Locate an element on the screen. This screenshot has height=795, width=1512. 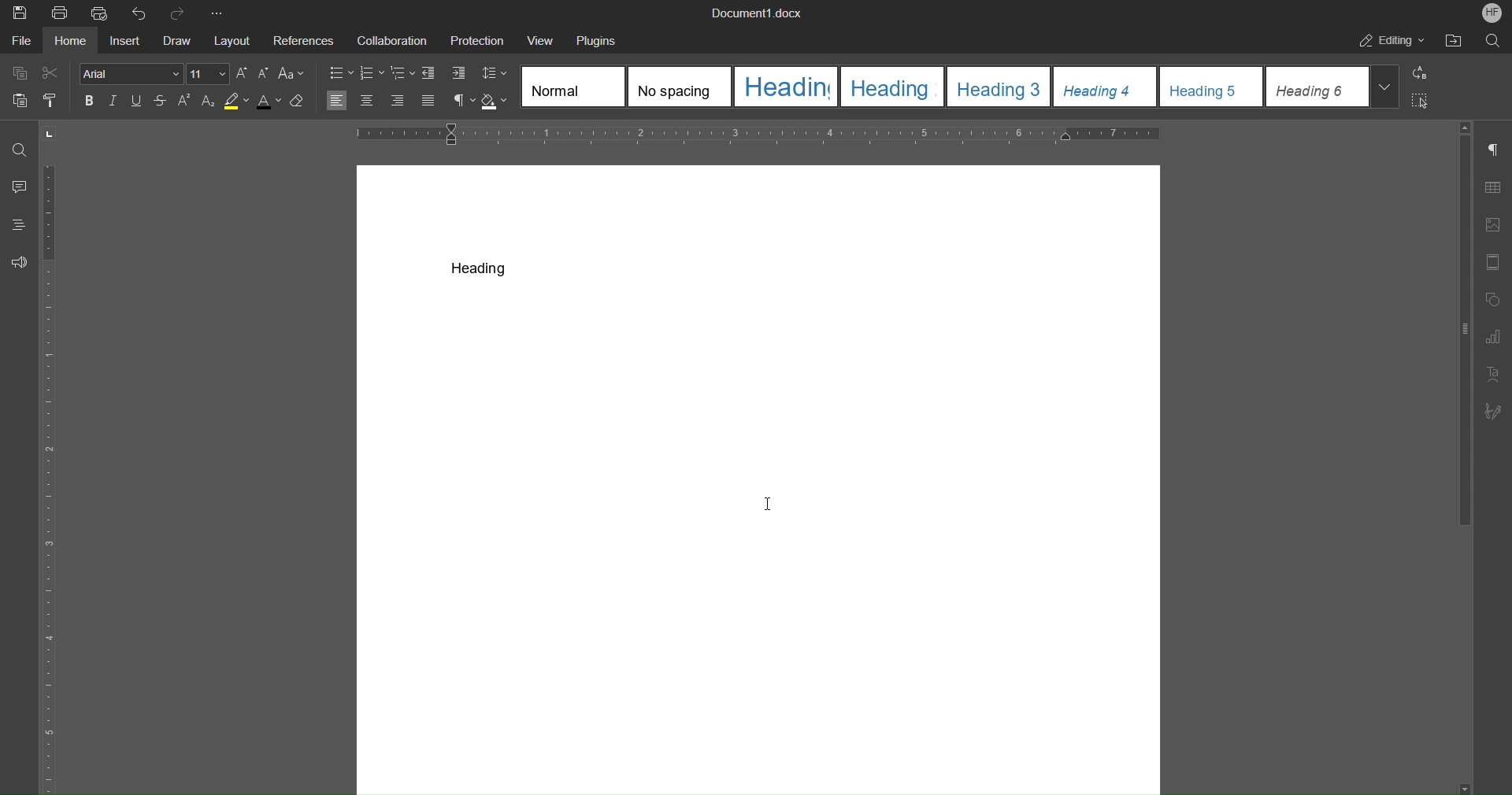
Bullet List is located at coordinates (339, 72).